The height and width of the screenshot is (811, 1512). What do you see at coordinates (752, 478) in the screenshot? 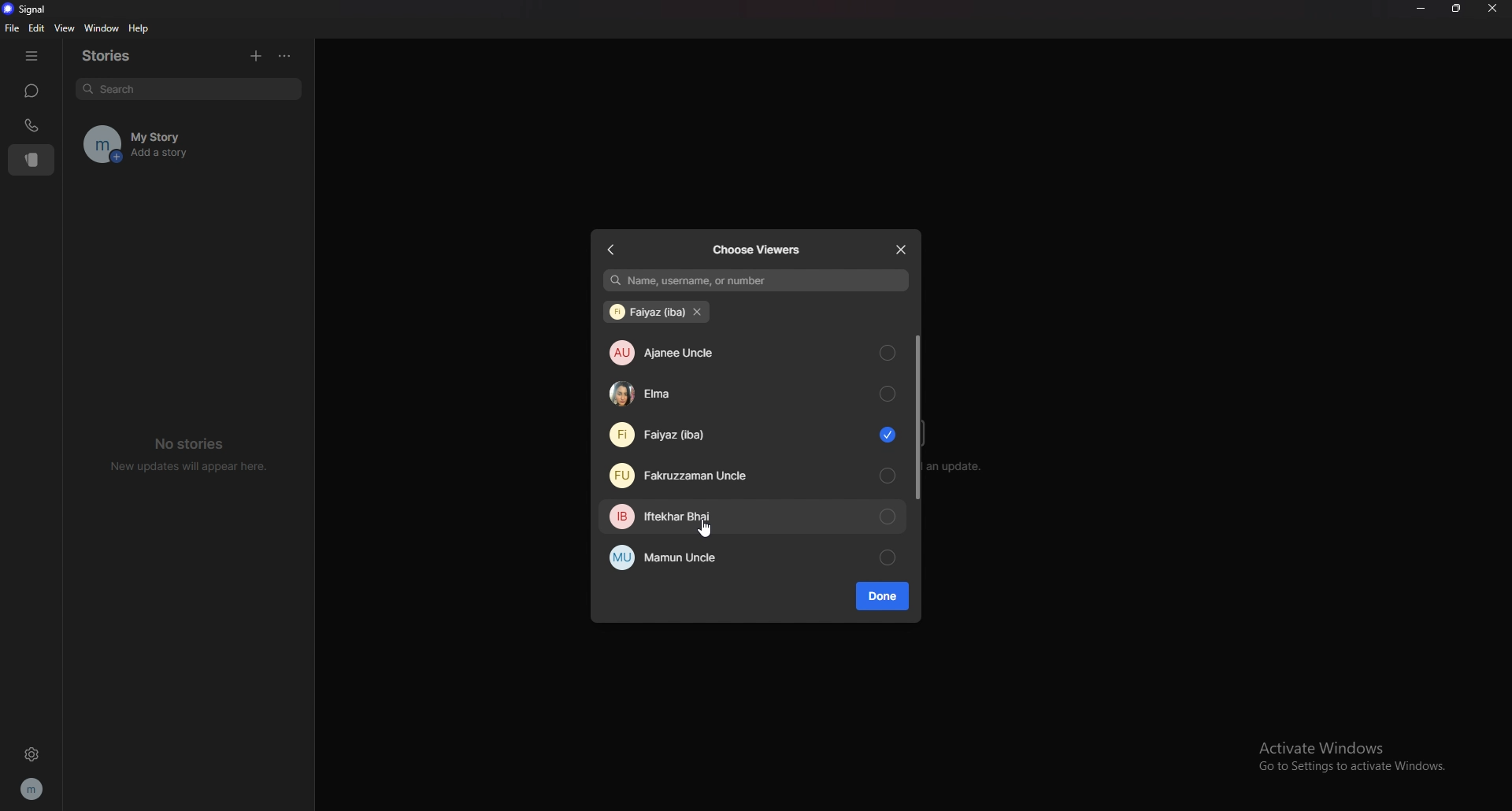
I see `fakruzzaman uncle` at bounding box center [752, 478].